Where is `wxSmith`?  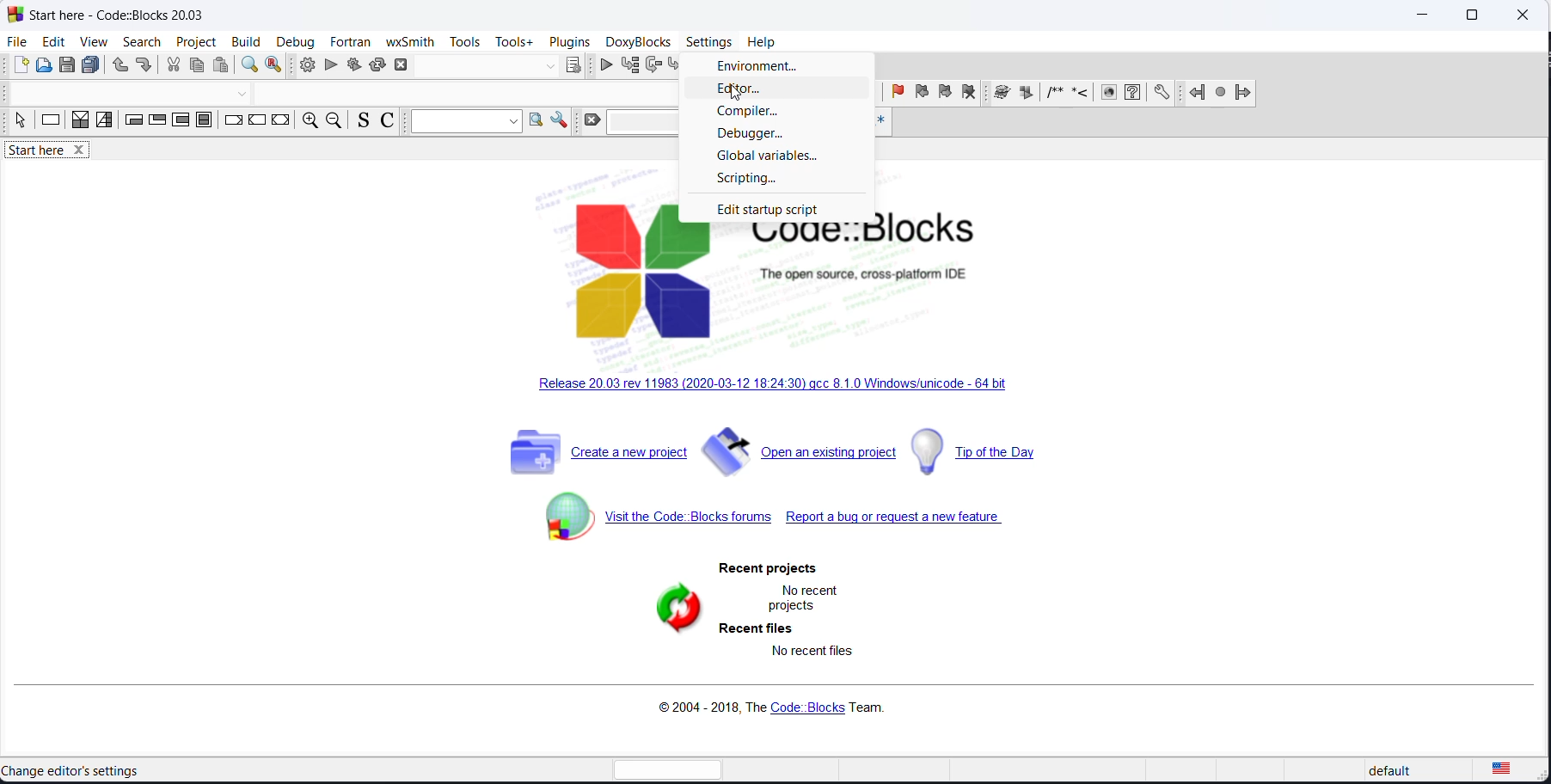
wxSmith is located at coordinates (408, 41).